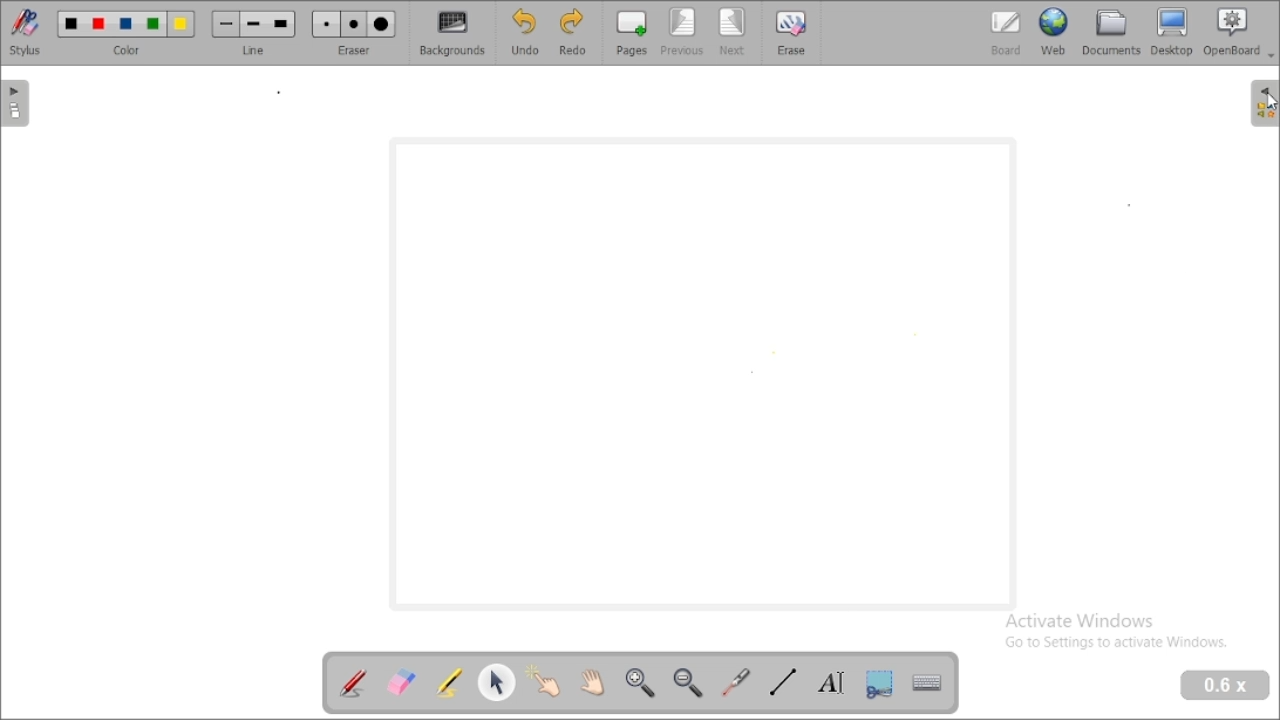 The image size is (1280, 720). Describe the element at coordinates (448, 681) in the screenshot. I see `highlight` at that location.